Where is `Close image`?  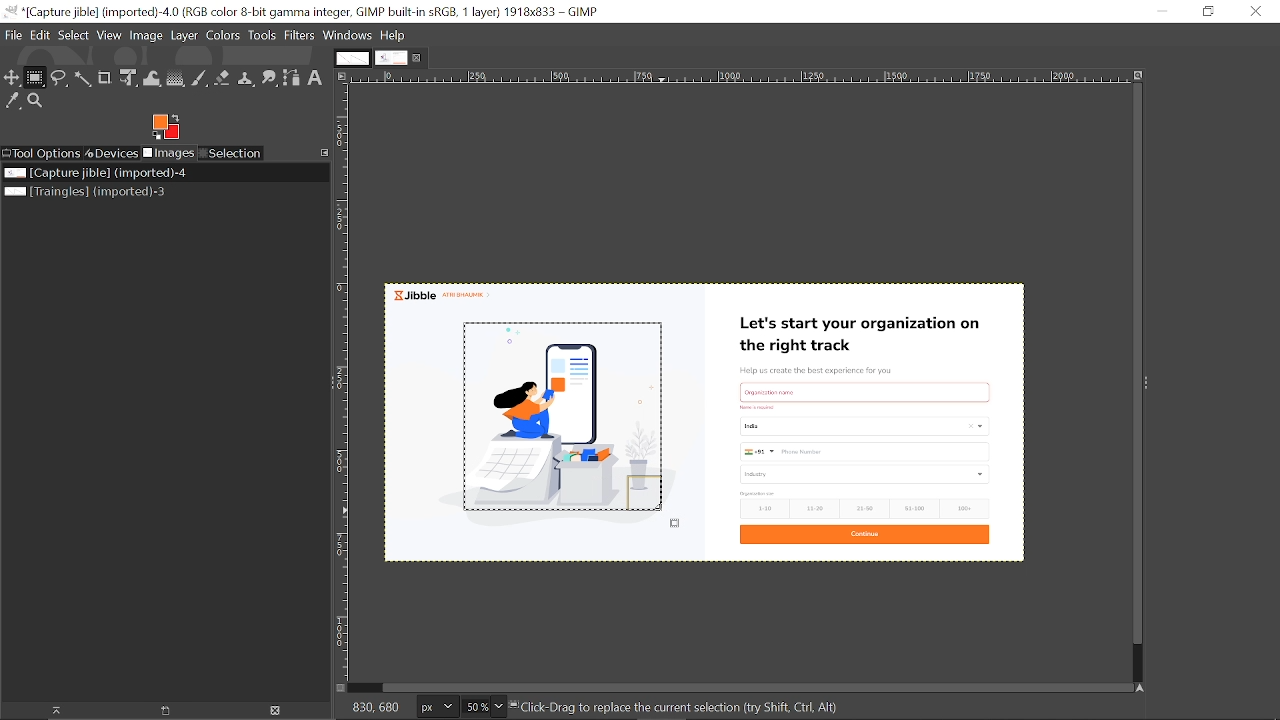 Close image is located at coordinates (278, 710).